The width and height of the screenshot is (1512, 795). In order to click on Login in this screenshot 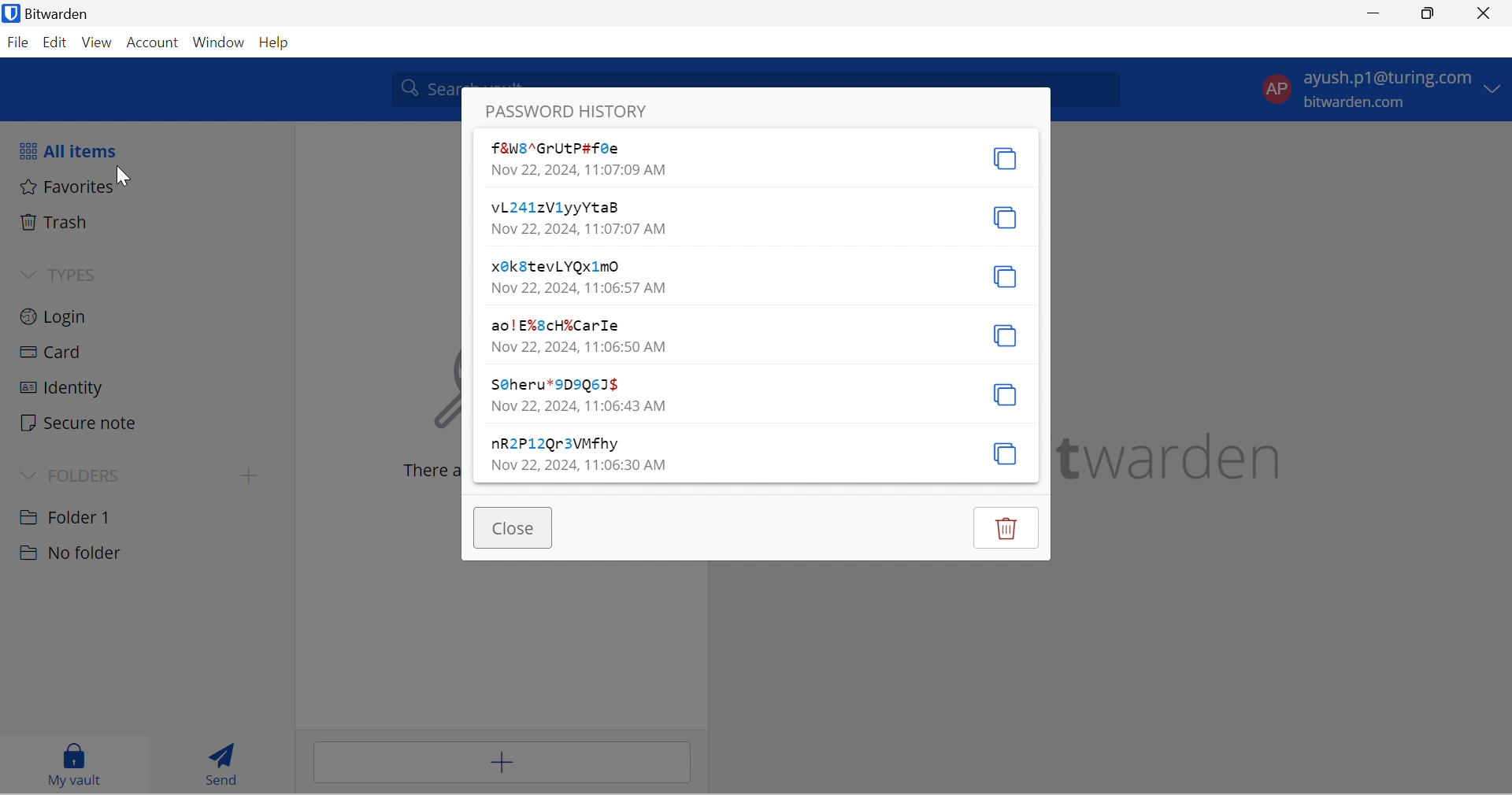, I will do `click(61, 317)`.